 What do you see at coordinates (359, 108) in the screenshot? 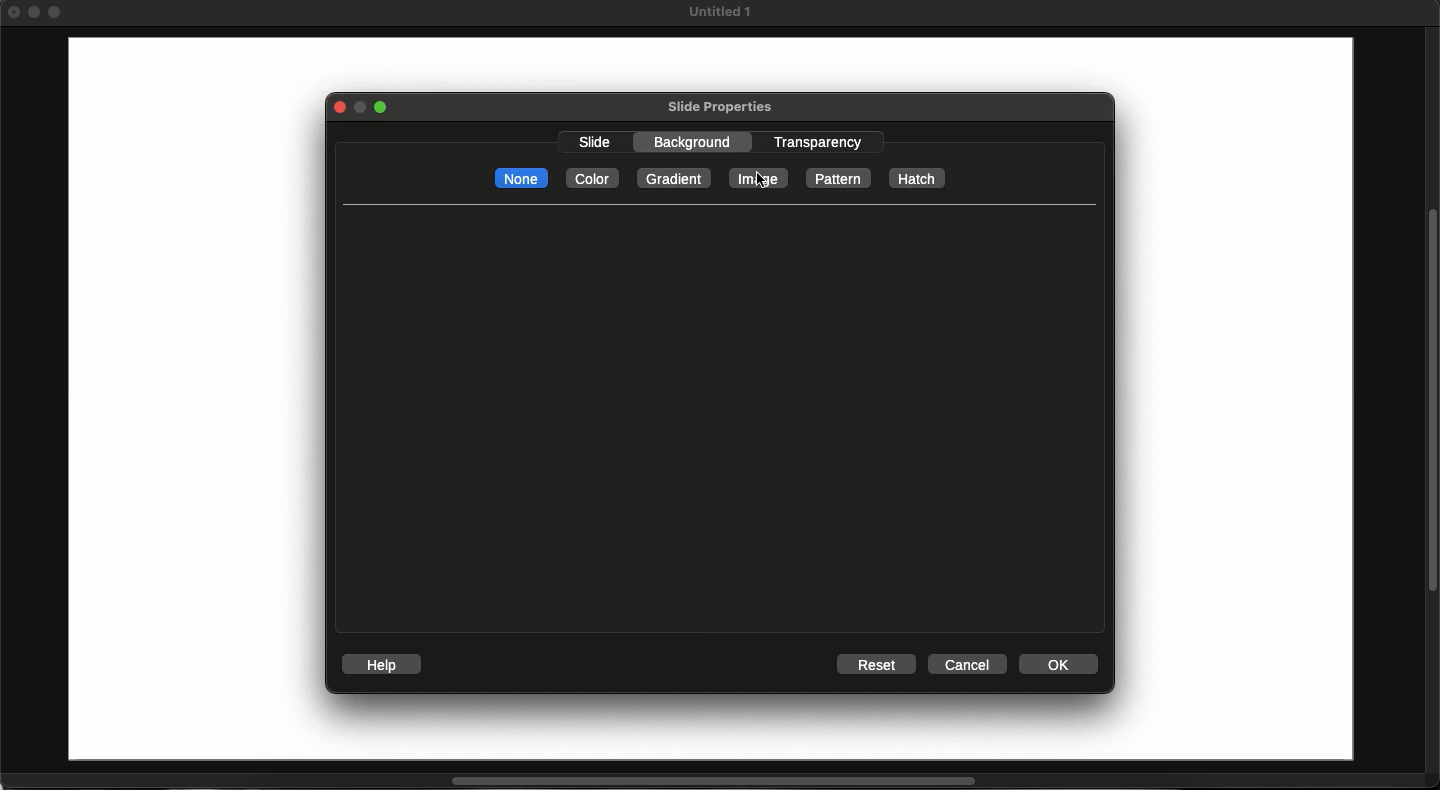
I see `Minimize` at bounding box center [359, 108].